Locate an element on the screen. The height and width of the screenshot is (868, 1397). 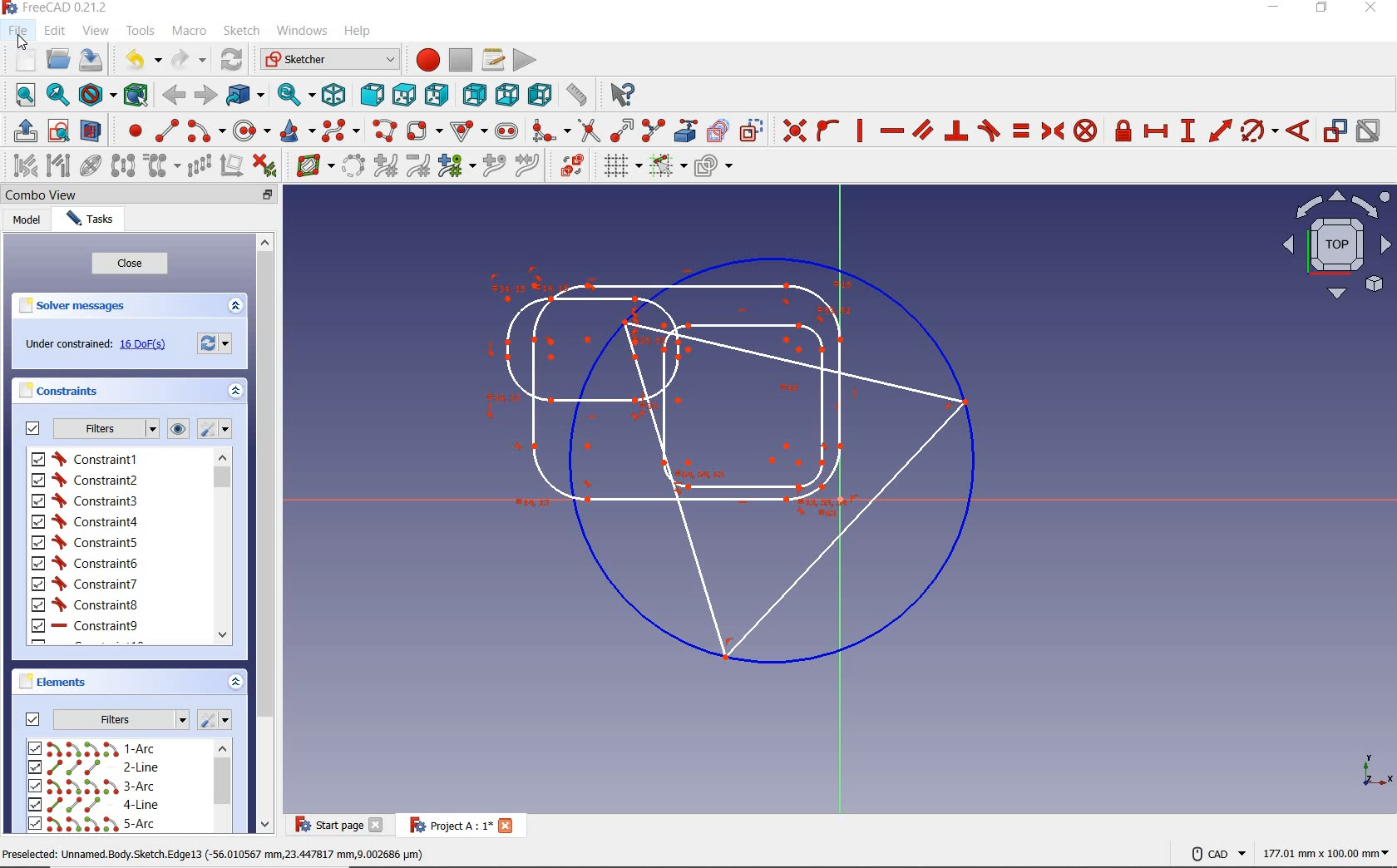
forces recomputation of active document is located at coordinates (215, 343).